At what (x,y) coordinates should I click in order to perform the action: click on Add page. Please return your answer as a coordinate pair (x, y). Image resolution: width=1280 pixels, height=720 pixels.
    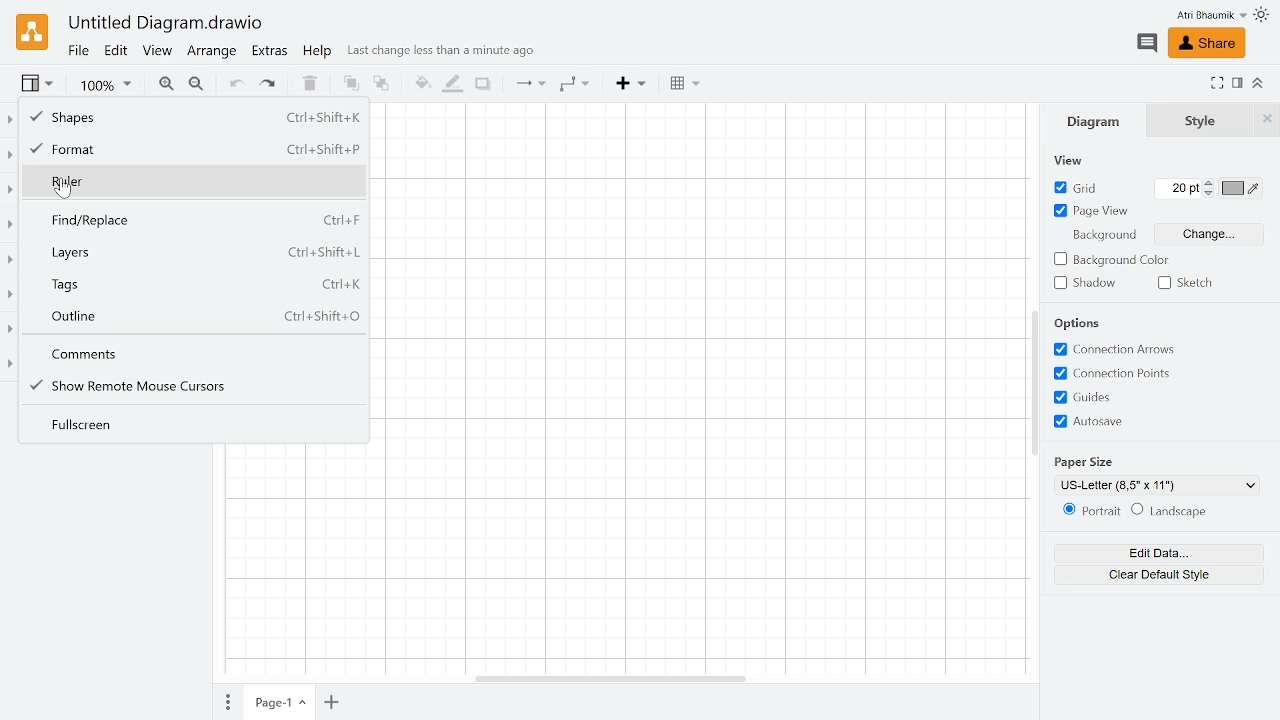
    Looking at the image, I should click on (335, 701).